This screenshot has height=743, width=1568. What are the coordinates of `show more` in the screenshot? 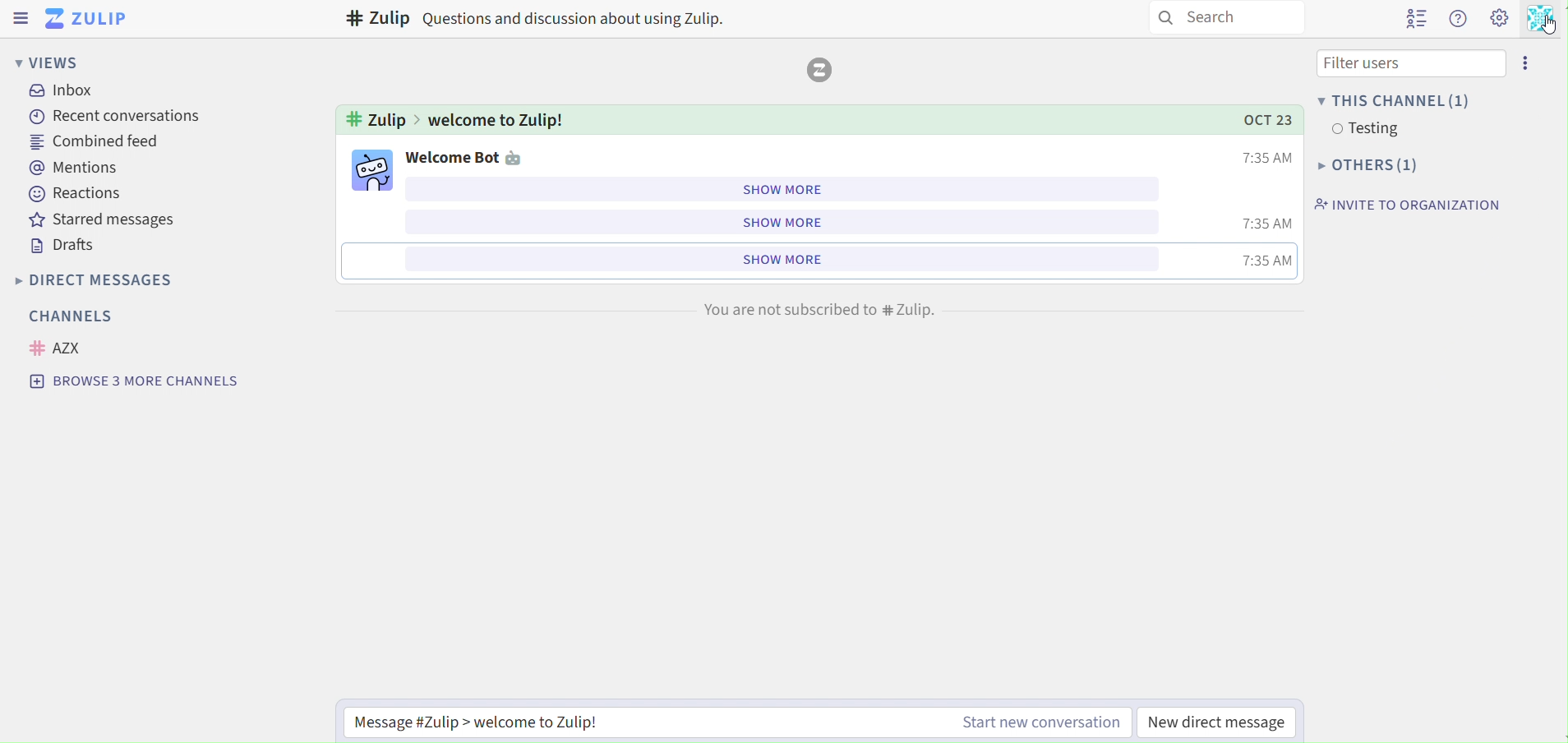 It's located at (781, 188).